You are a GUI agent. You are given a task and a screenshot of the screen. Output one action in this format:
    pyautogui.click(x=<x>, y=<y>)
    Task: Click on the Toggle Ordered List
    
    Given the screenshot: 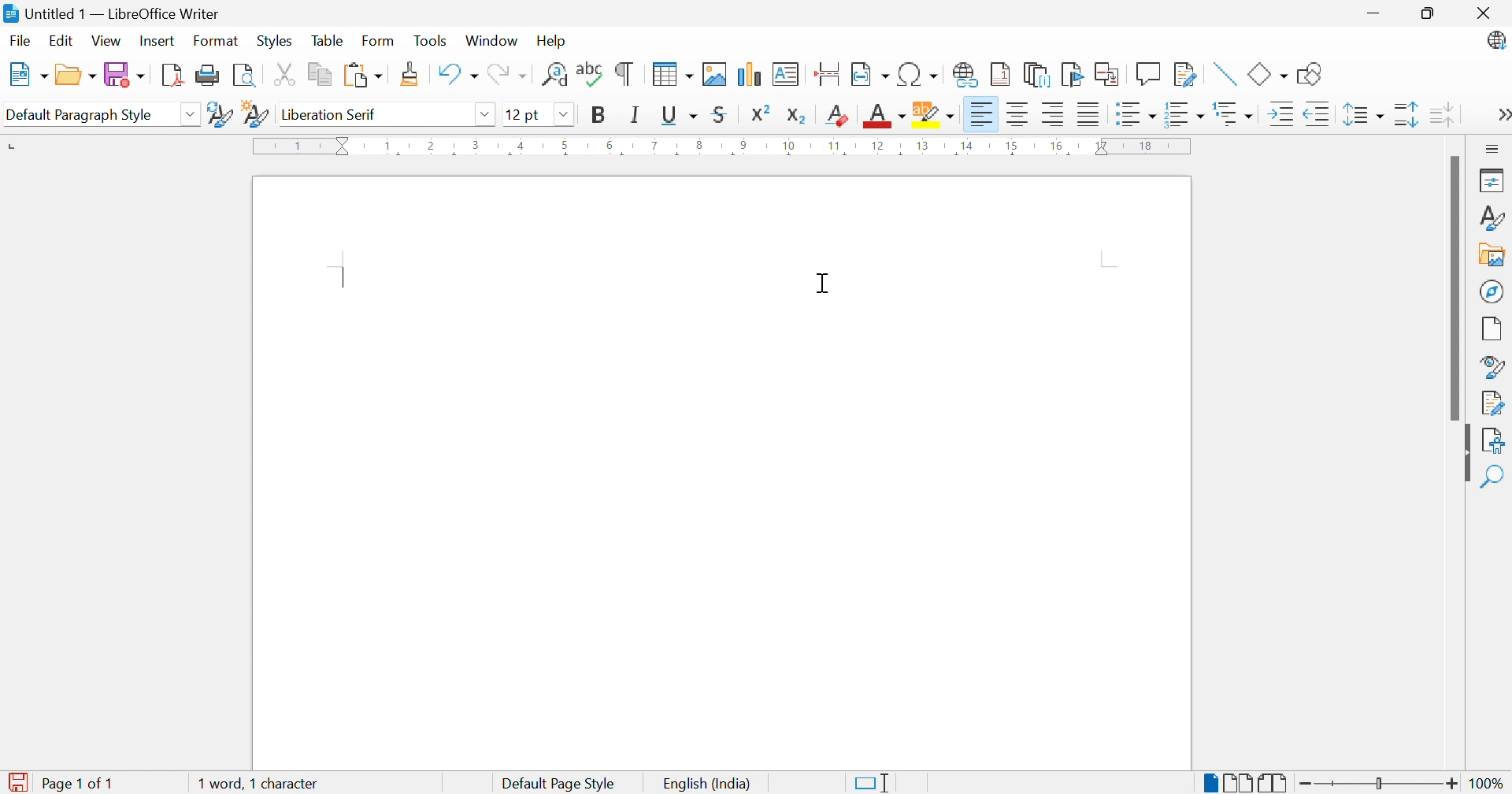 What is the action you would take?
    pyautogui.click(x=1185, y=113)
    